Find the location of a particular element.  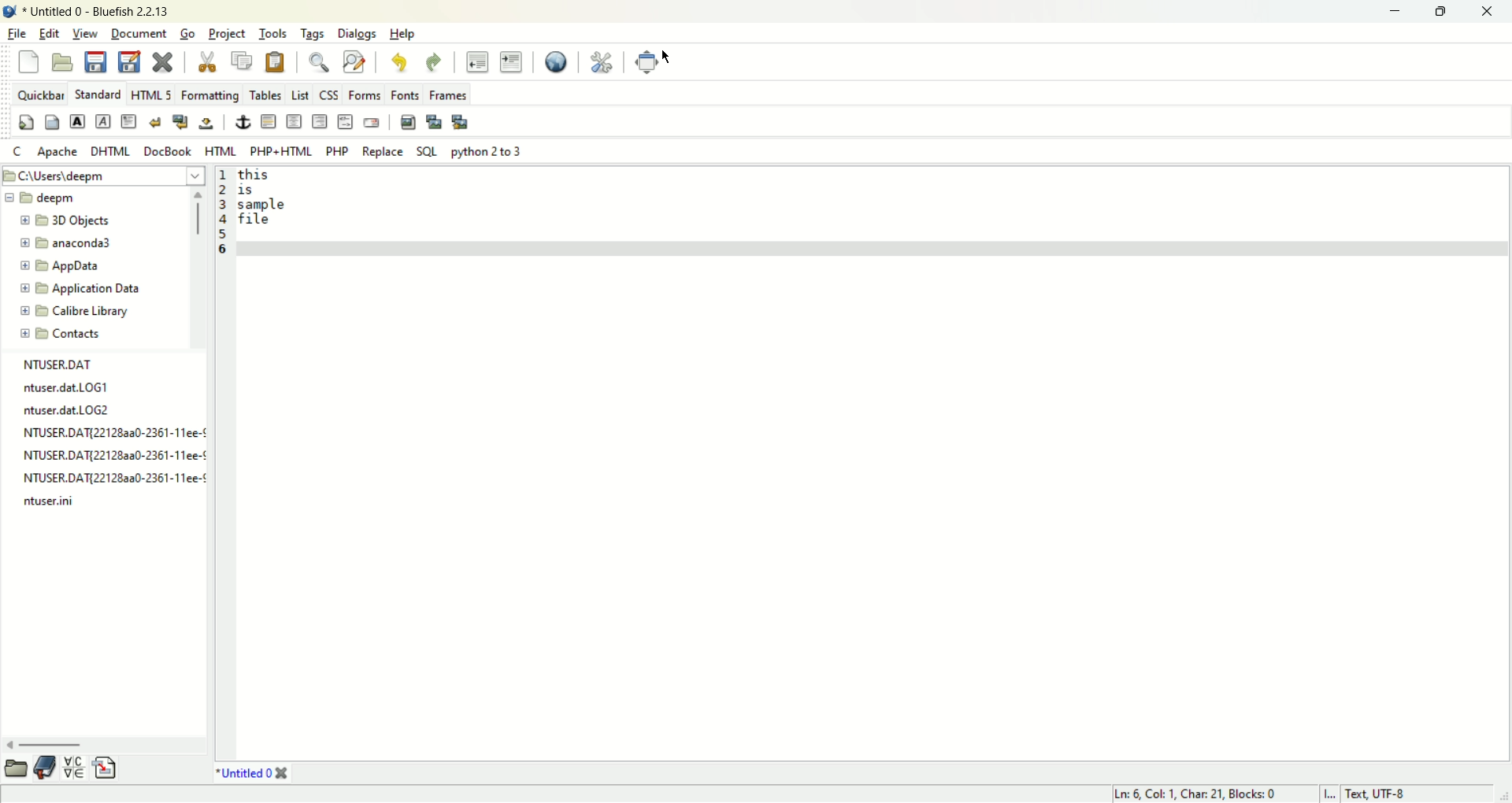

ntuser.ini is located at coordinates (49, 501).